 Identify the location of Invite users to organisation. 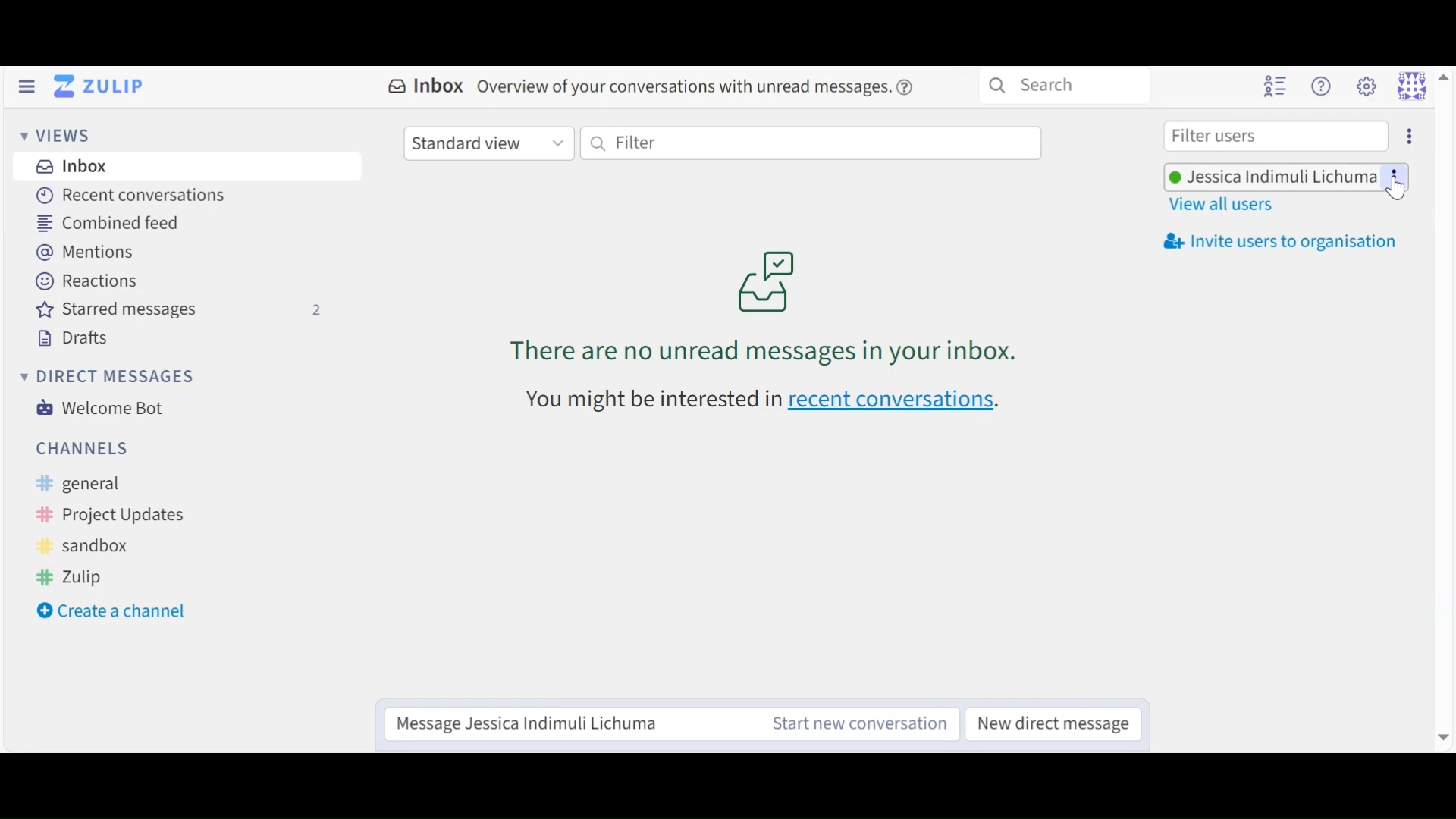
(1407, 136).